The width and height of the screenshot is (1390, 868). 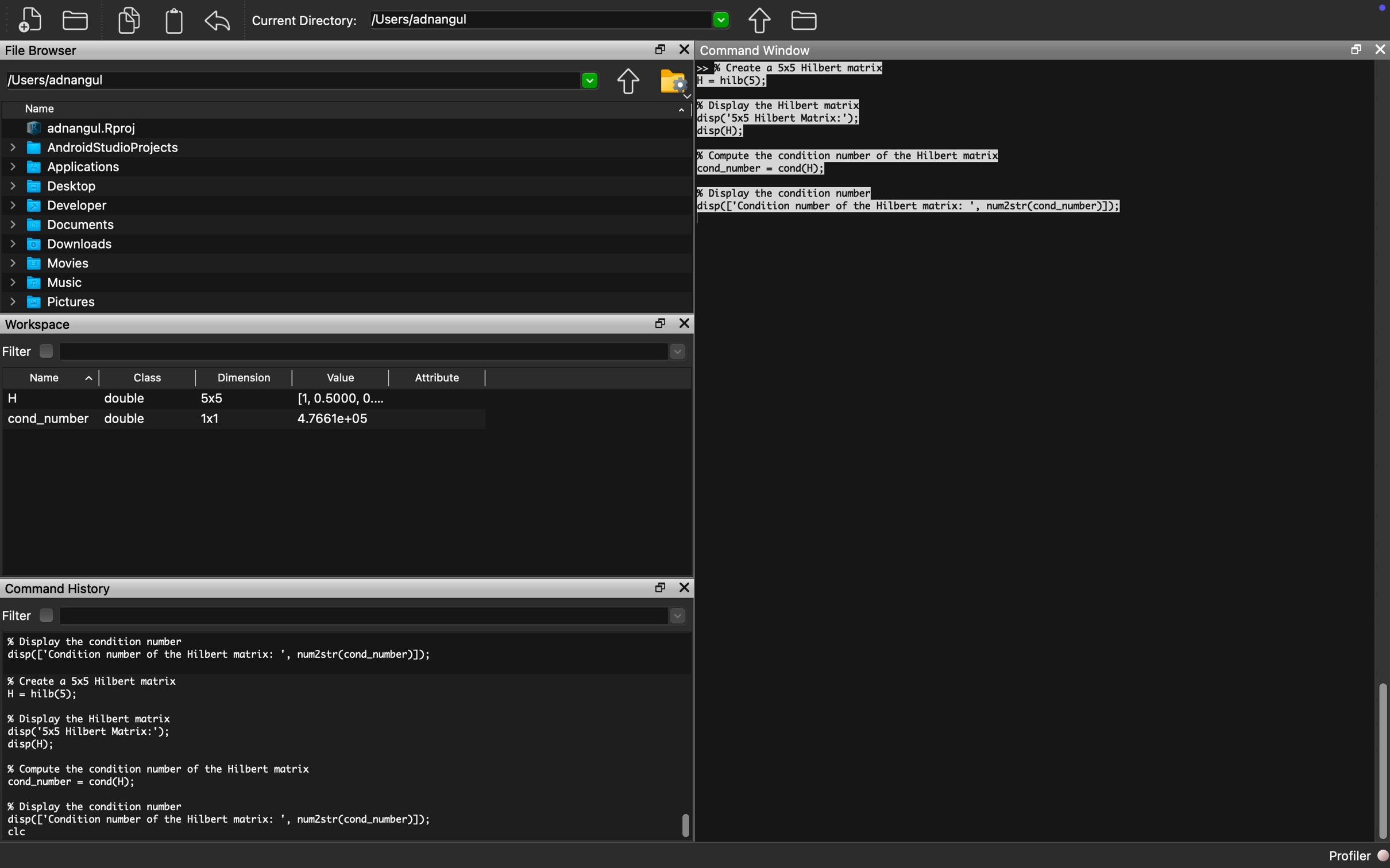 What do you see at coordinates (674, 82) in the screenshot?
I see `Folder Setting` at bounding box center [674, 82].